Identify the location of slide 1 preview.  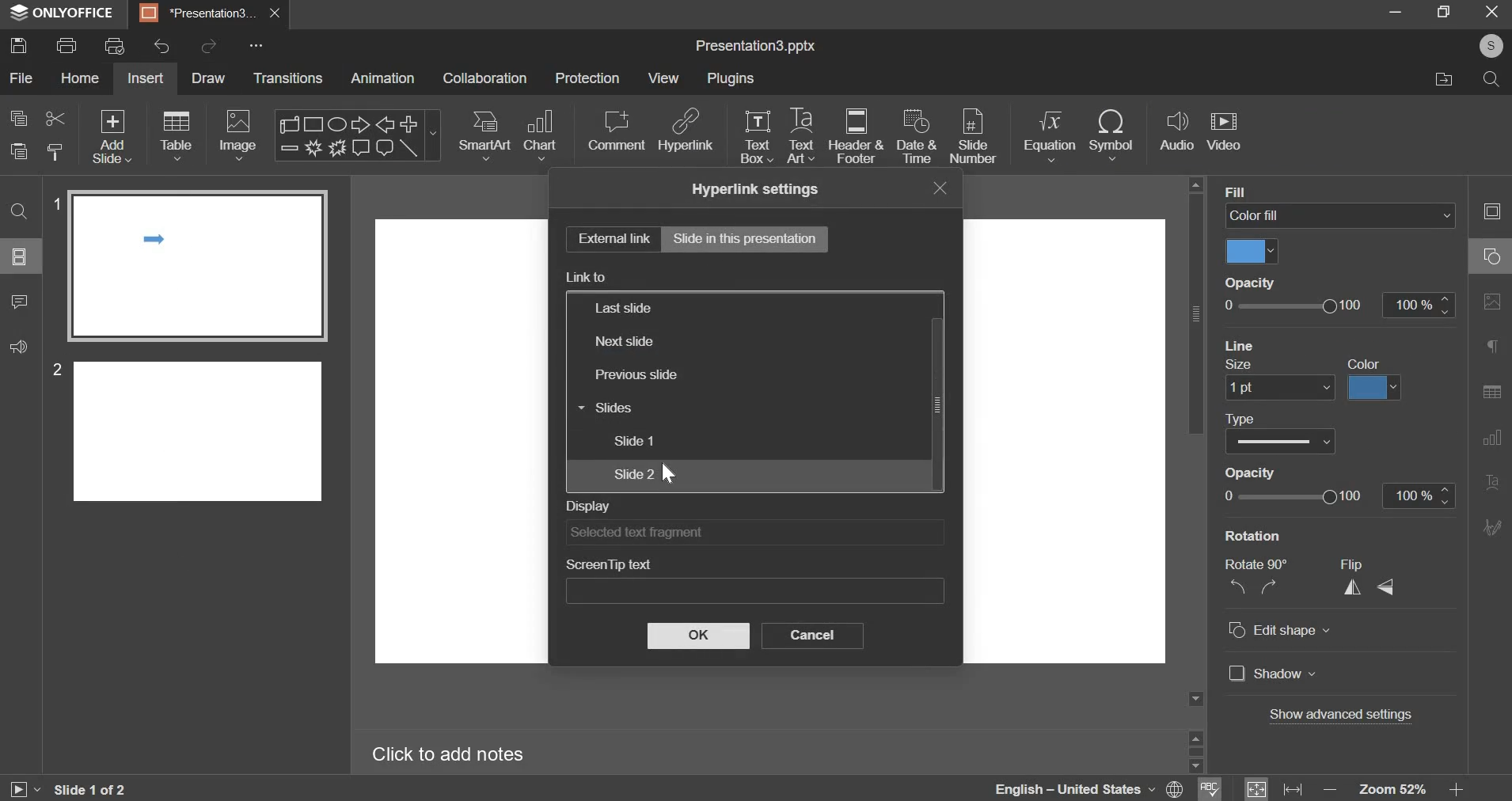
(196, 266).